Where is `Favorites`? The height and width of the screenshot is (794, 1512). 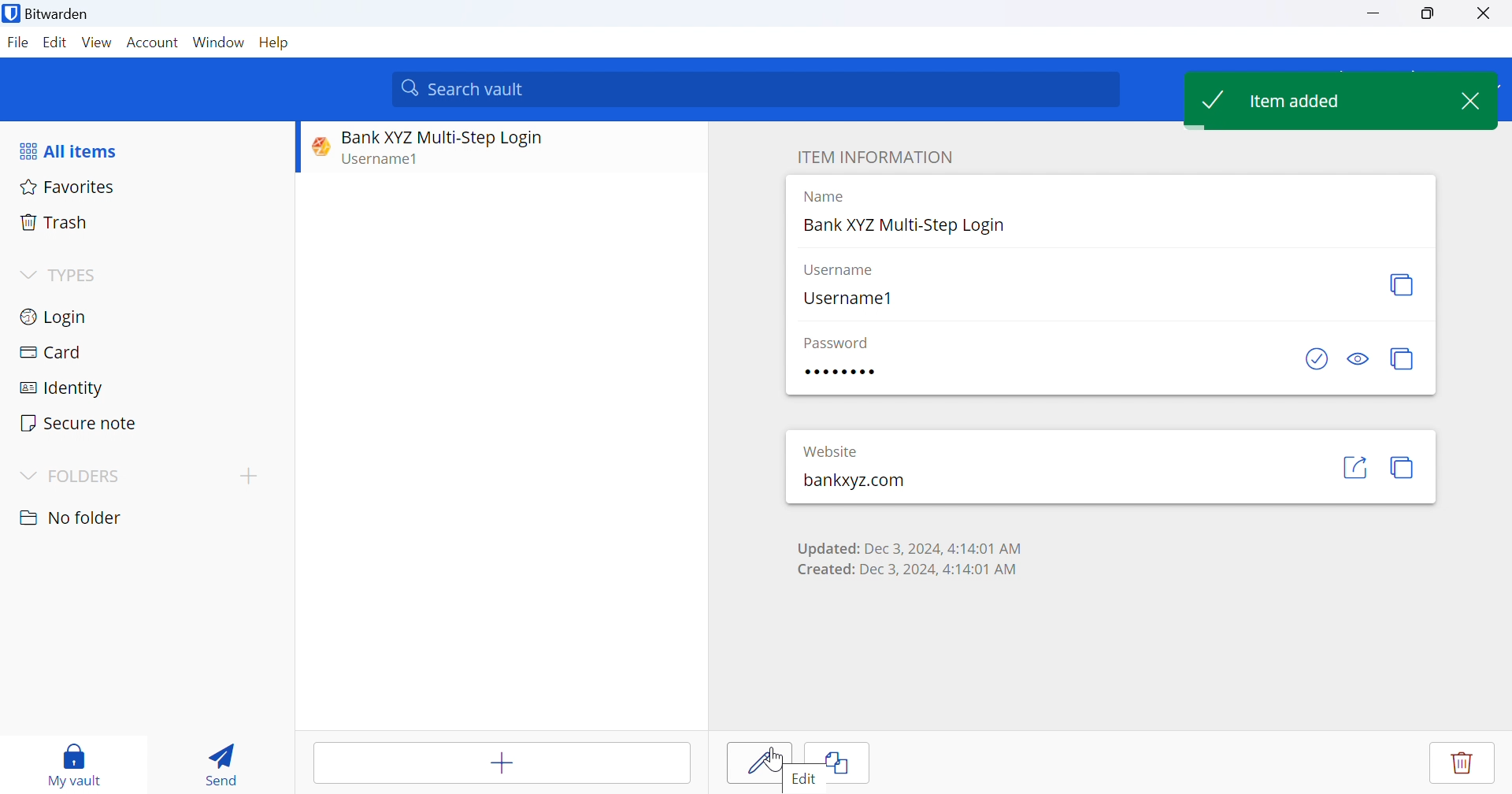
Favorites is located at coordinates (68, 186).